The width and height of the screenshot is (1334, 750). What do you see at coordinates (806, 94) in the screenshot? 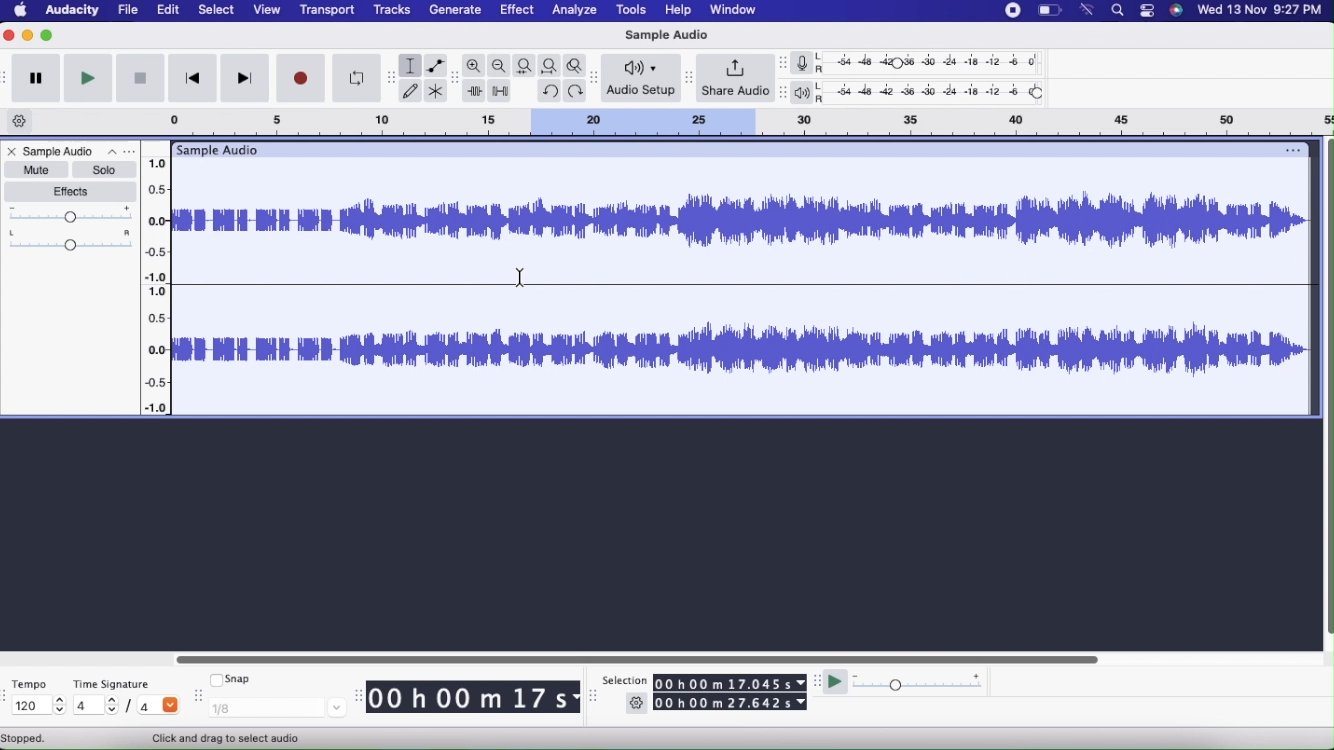
I see `Playback meter` at bounding box center [806, 94].